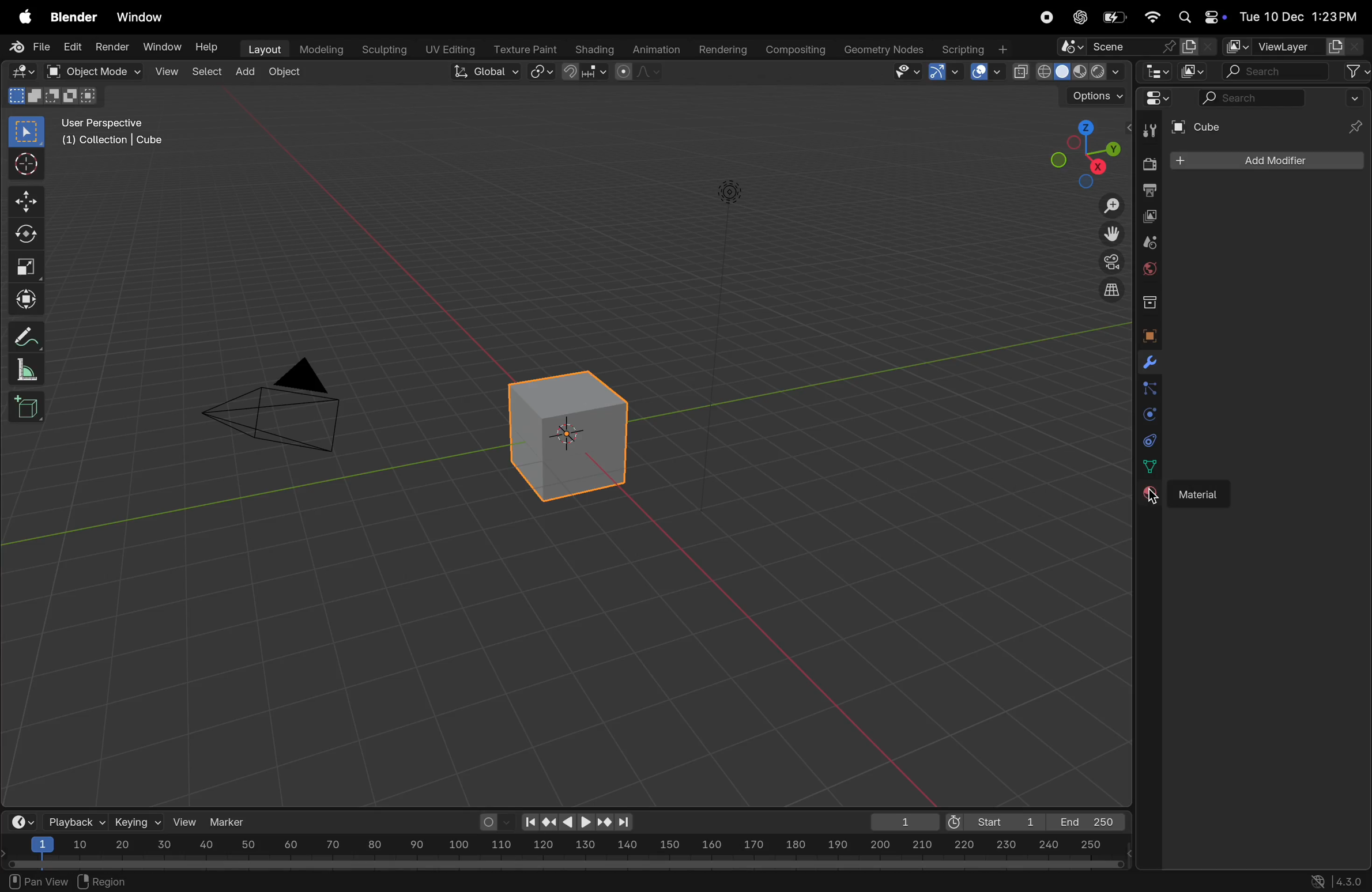  What do you see at coordinates (1147, 300) in the screenshot?
I see `collection` at bounding box center [1147, 300].